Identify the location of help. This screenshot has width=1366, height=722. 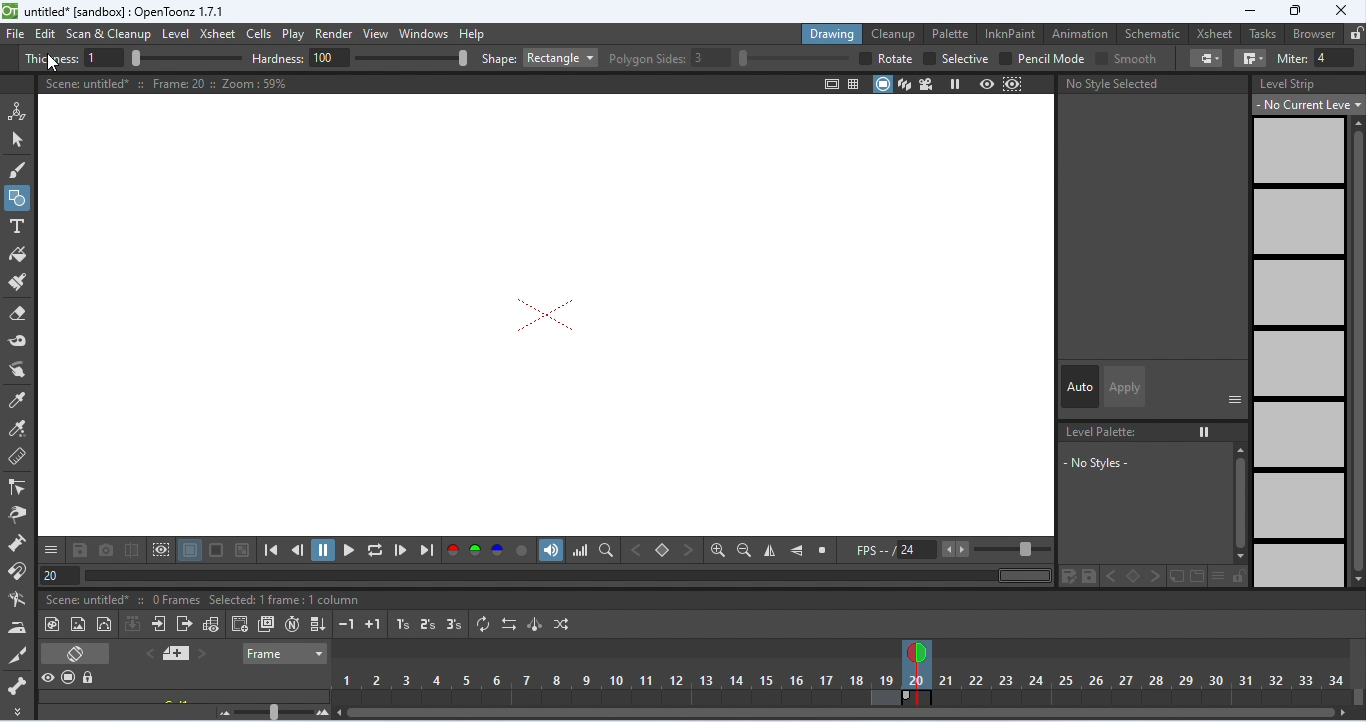
(472, 34).